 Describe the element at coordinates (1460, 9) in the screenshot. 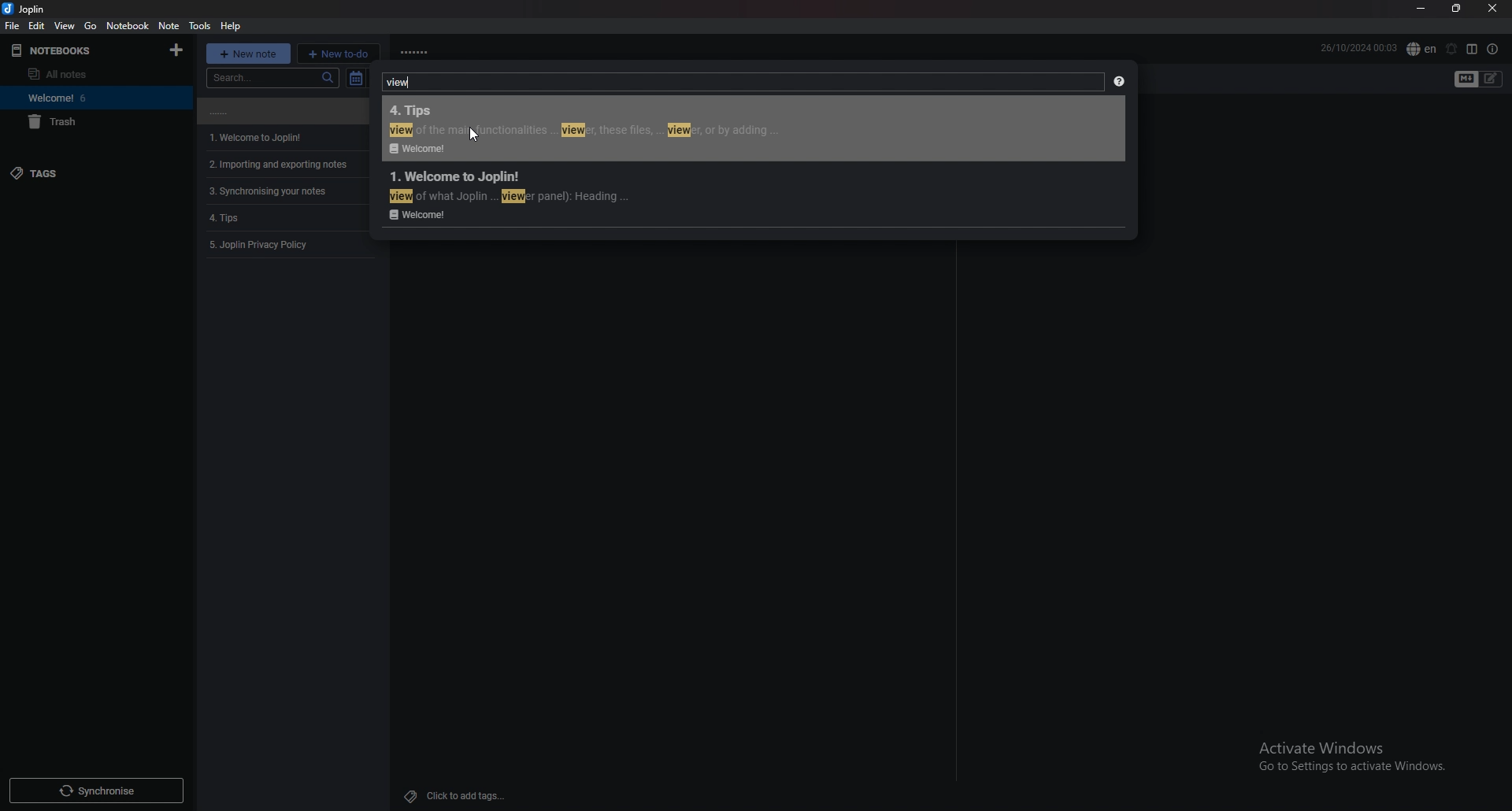

I see `resize` at that location.